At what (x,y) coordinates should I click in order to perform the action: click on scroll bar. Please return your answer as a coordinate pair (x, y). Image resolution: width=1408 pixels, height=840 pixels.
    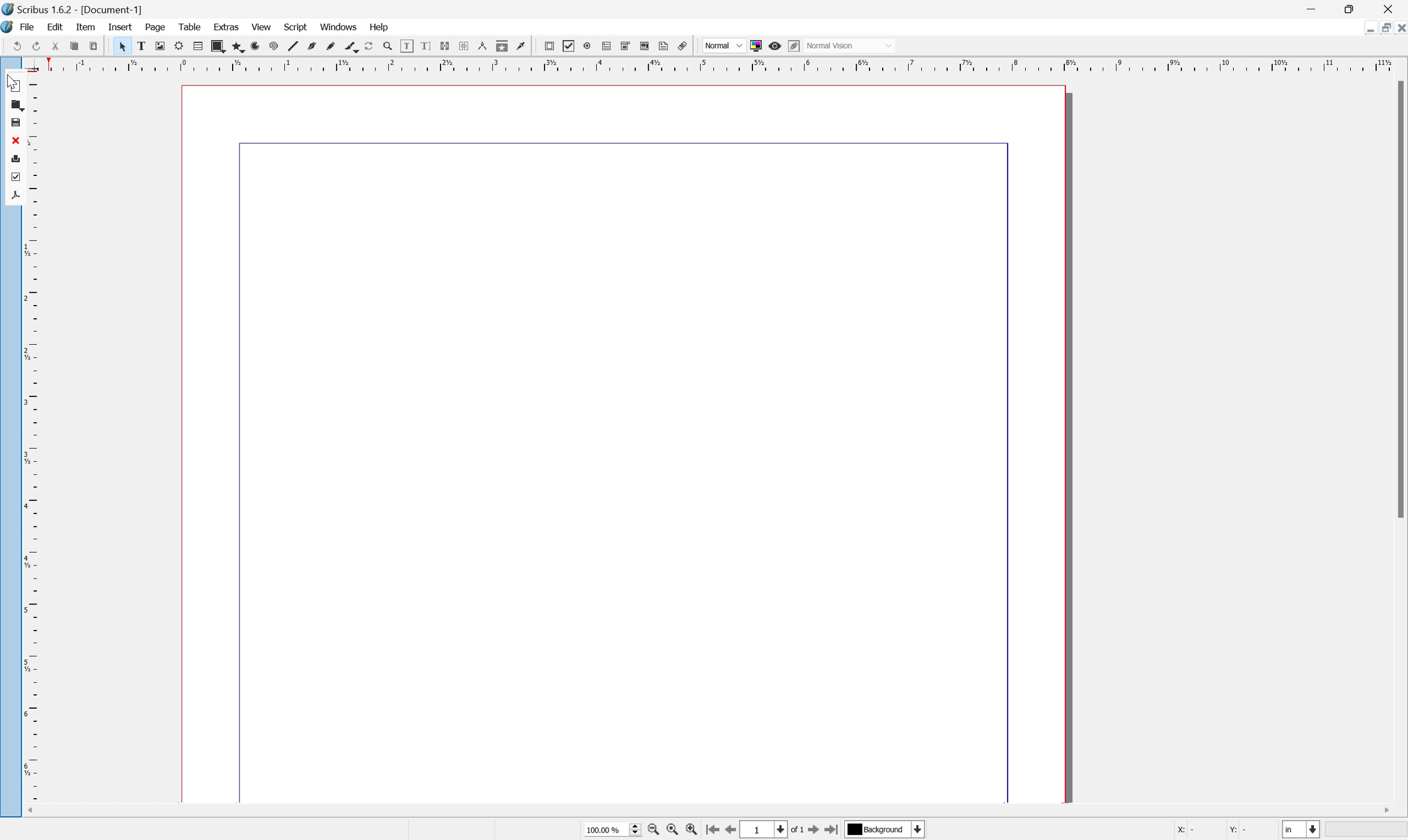
    Looking at the image, I should click on (703, 811).